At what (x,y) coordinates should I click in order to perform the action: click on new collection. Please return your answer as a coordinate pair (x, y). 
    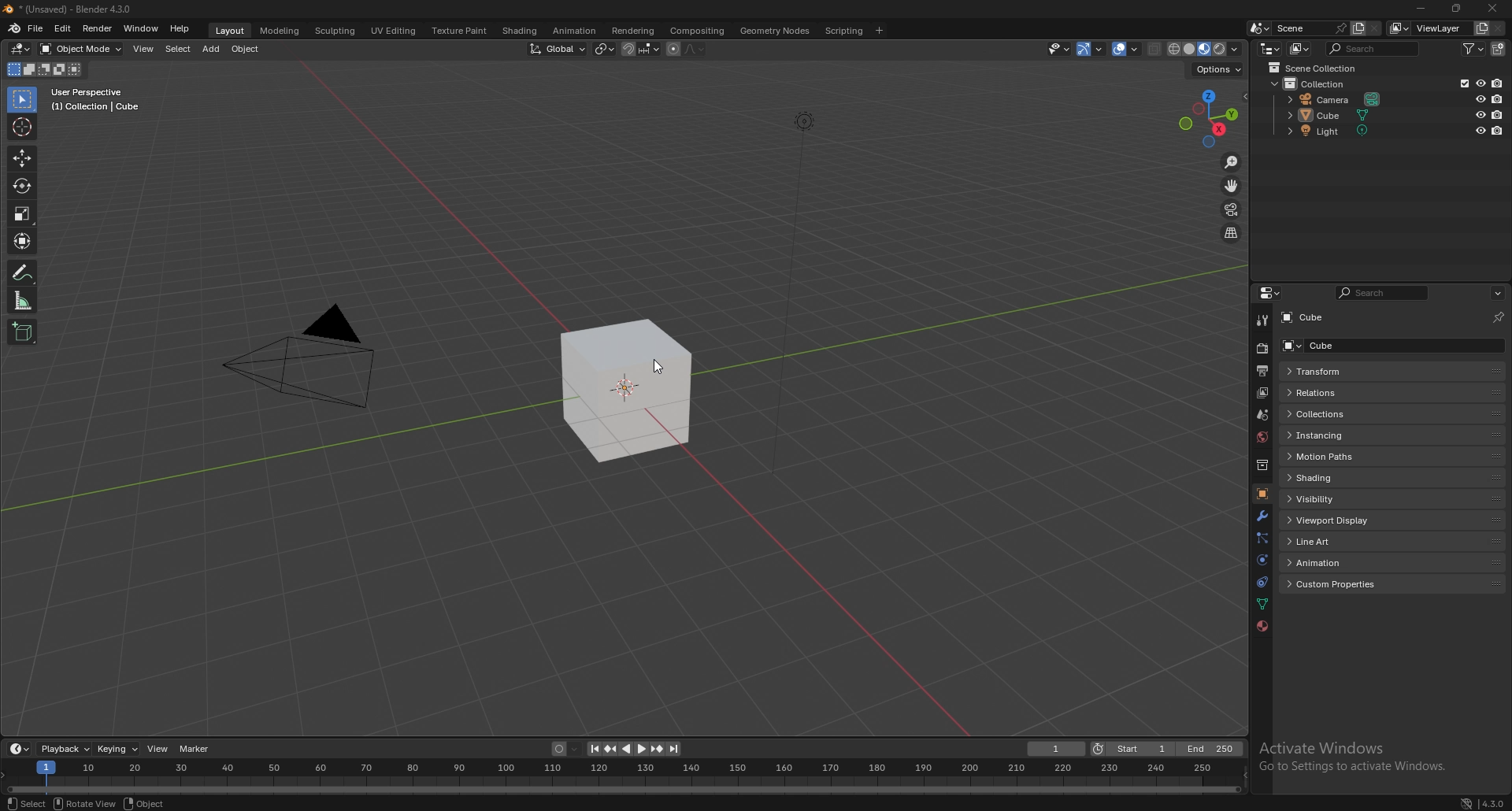
    Looking at the image, I should click on (1498, 49).